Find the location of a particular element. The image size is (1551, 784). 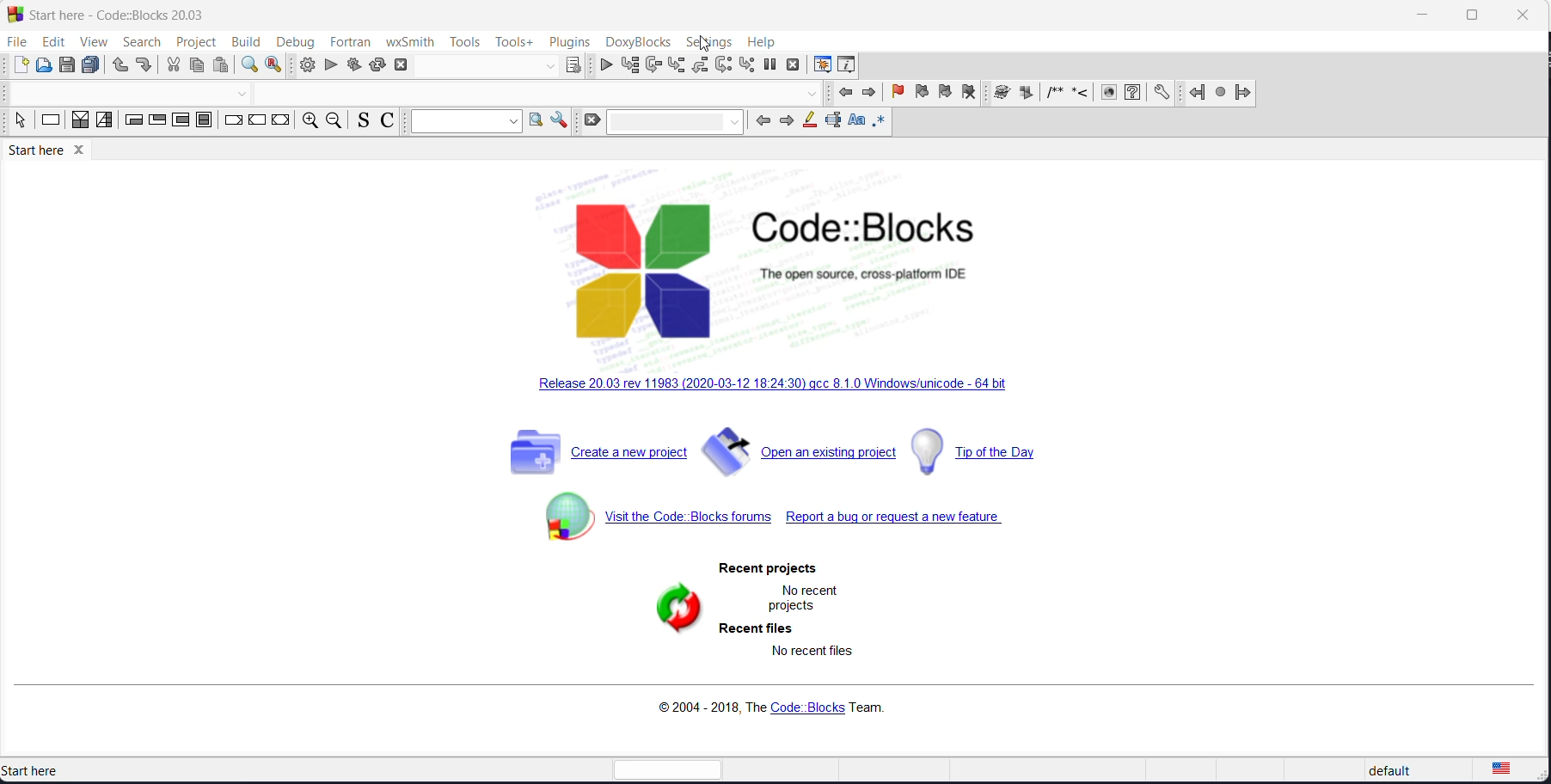

counting loop is located at coordinates (180, 122).